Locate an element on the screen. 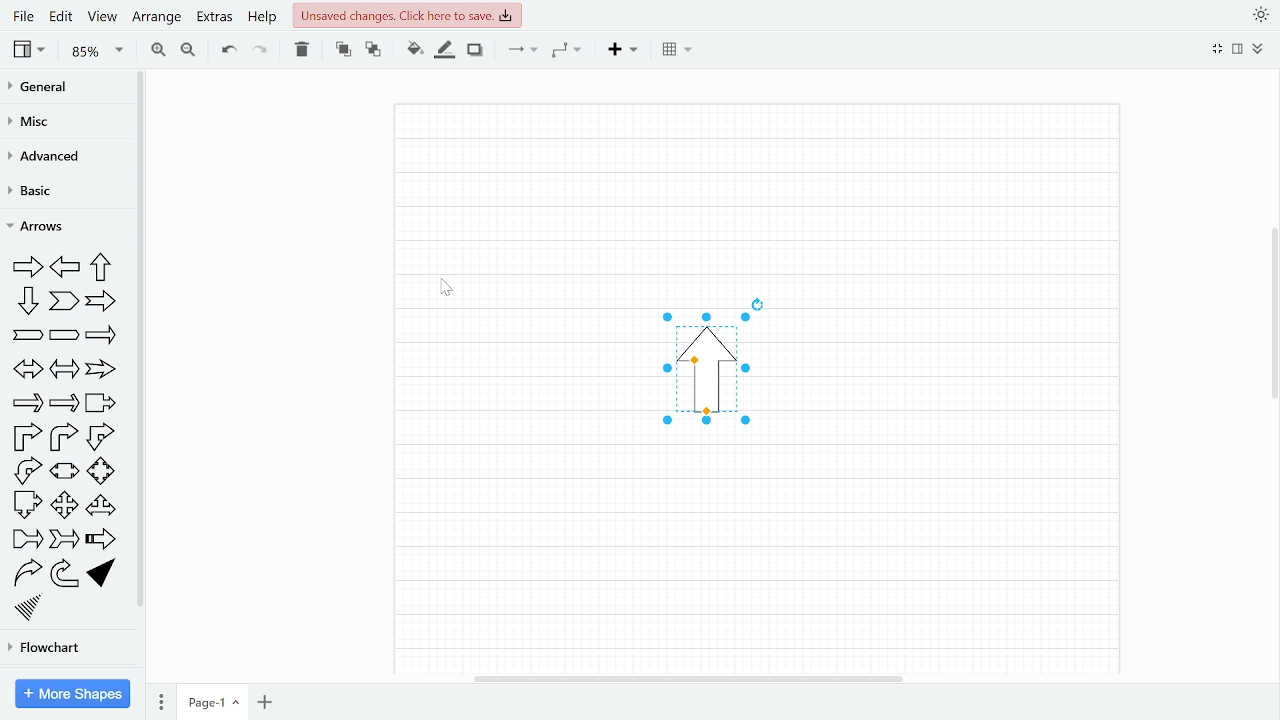  Extras is located at coordinates (214, 16).